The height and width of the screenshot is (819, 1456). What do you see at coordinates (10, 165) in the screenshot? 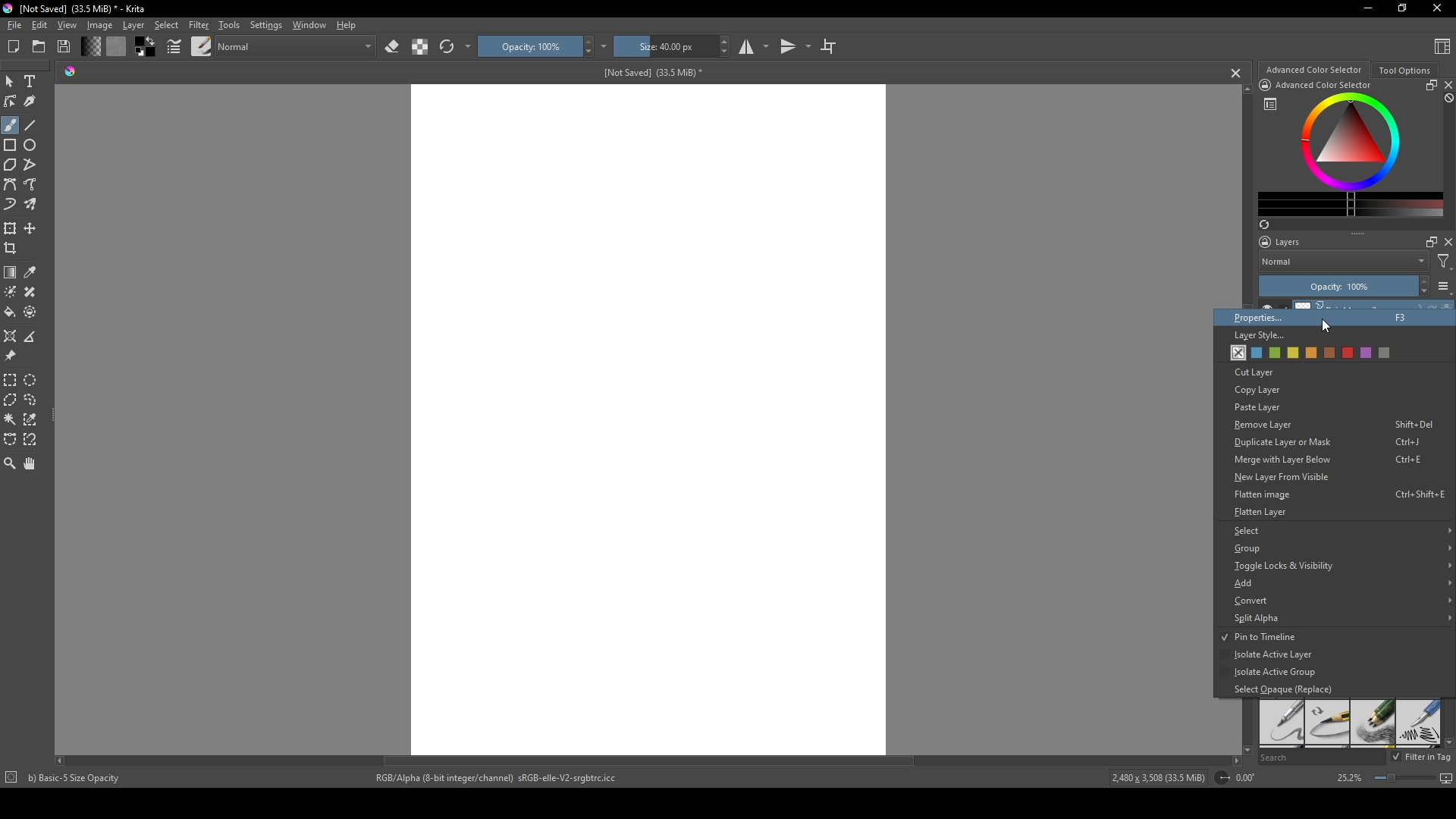
I see `polygon` at bounding box center [10, 165].